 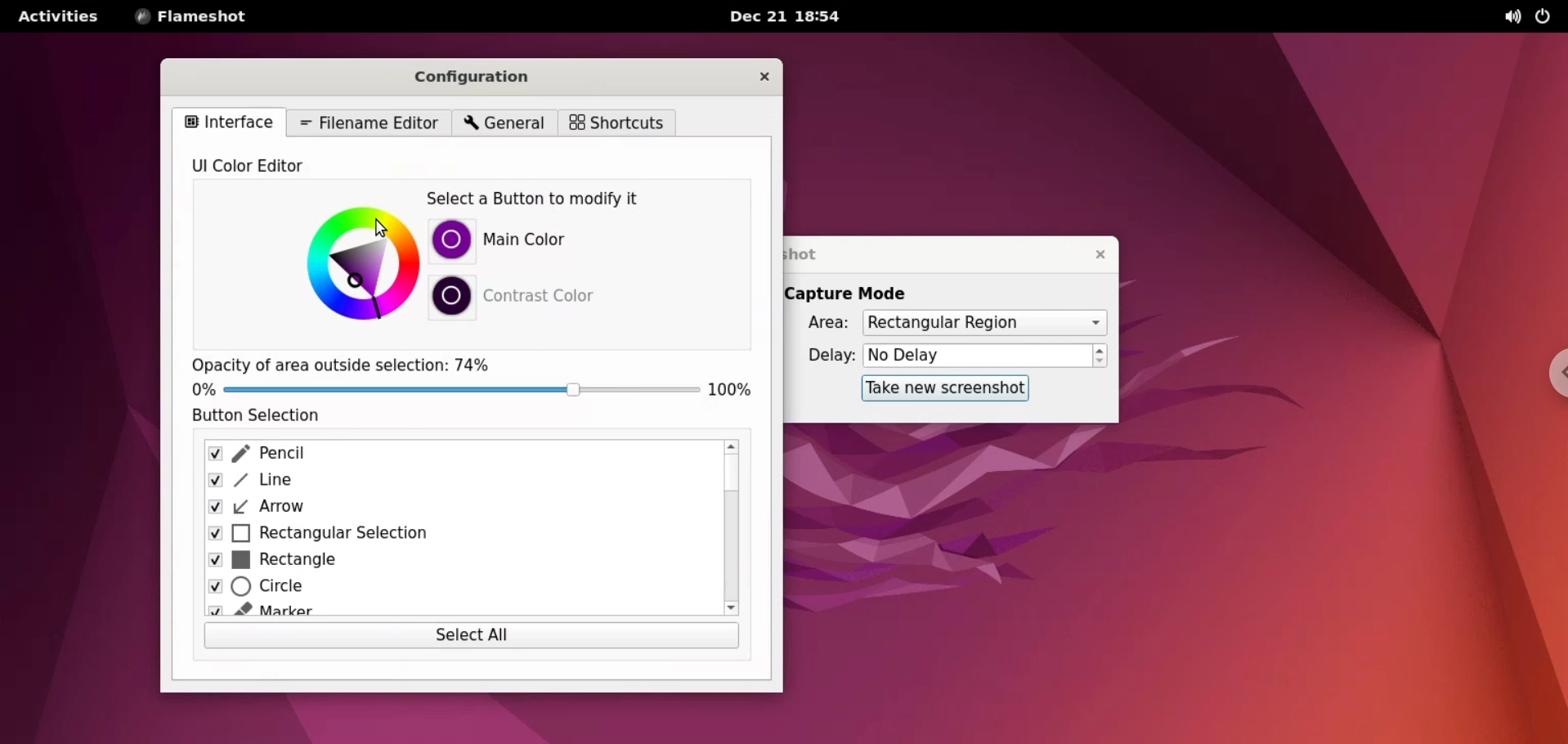 I want to click on Opacity of area outside selection: 74%, so click(x=365, y=362).